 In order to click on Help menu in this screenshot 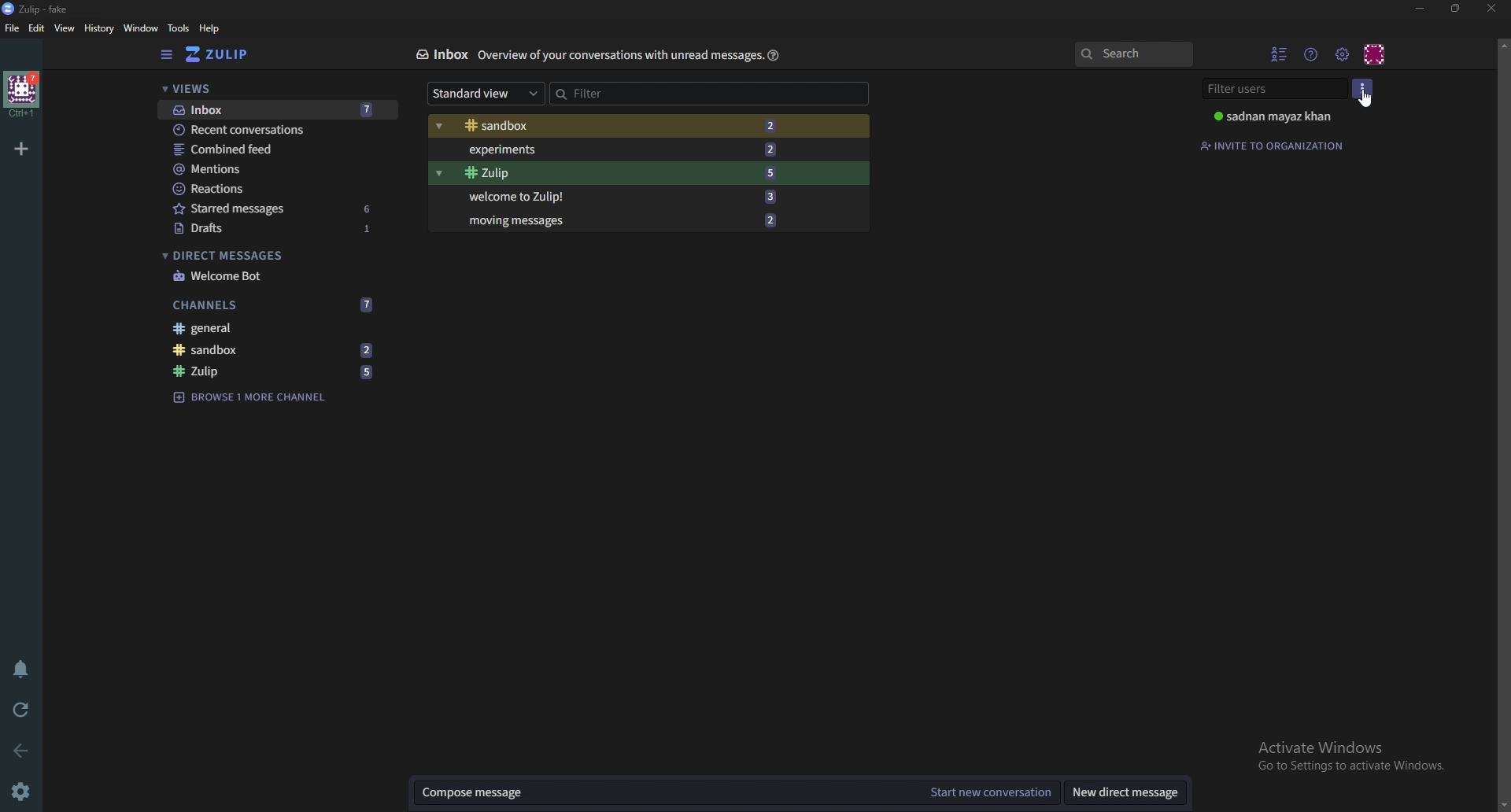, I will do `click(1310, 54)`.